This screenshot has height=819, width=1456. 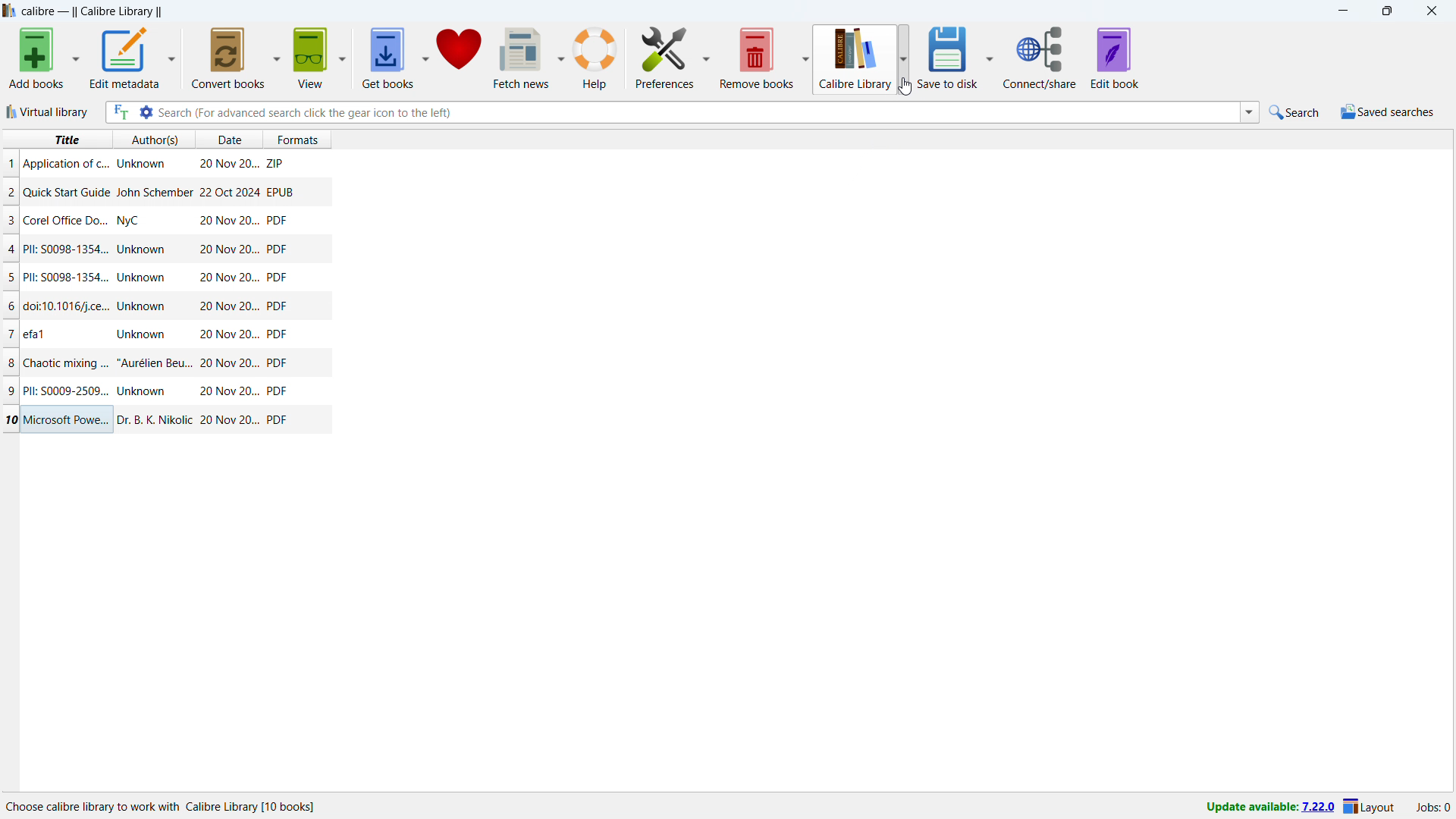 What do you see at coordinates (66, 362) in the screenshot?
I see `Title` at bounding box center [66, 362].